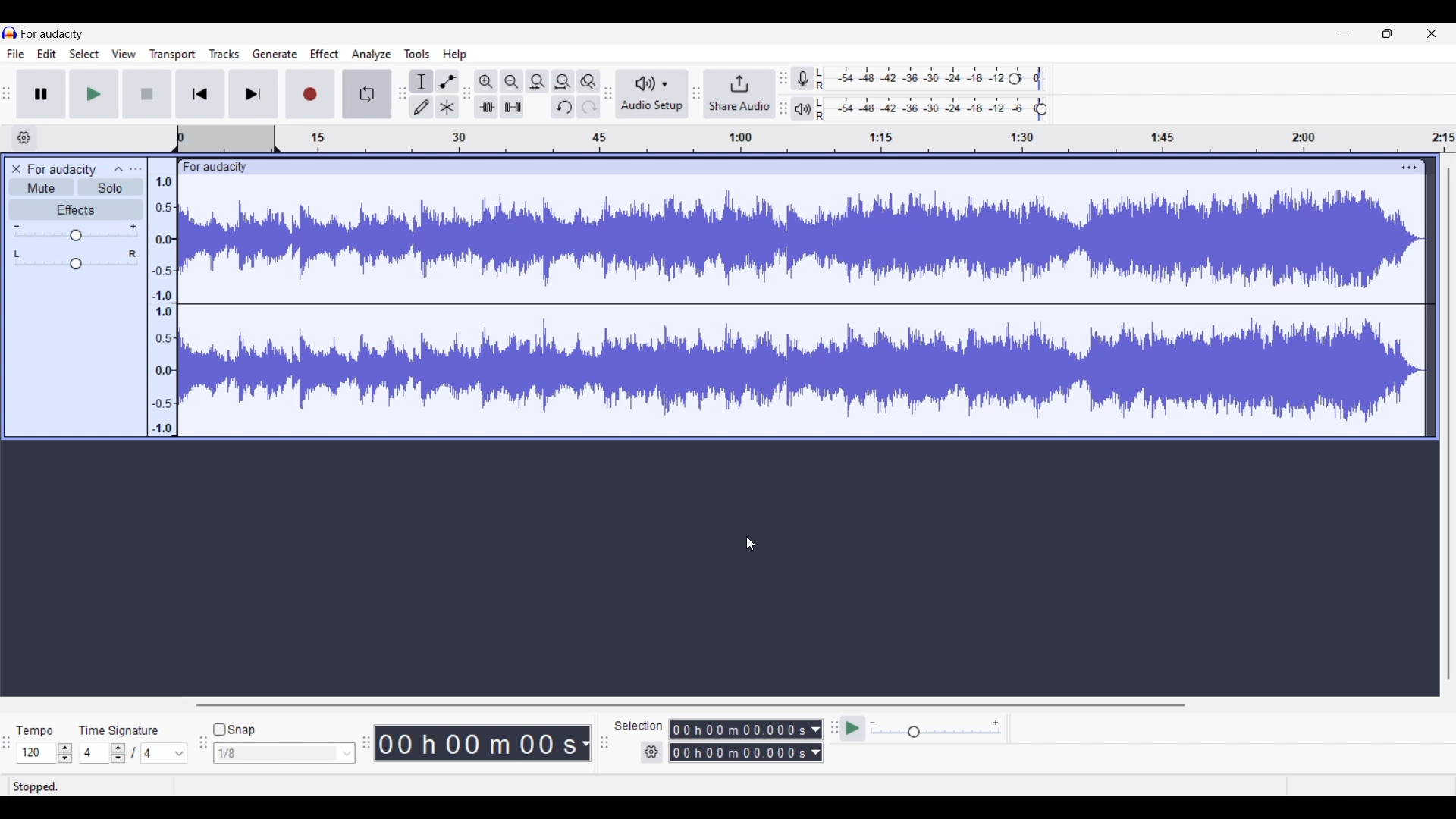  I want to click on Undo, so click(563, 107).